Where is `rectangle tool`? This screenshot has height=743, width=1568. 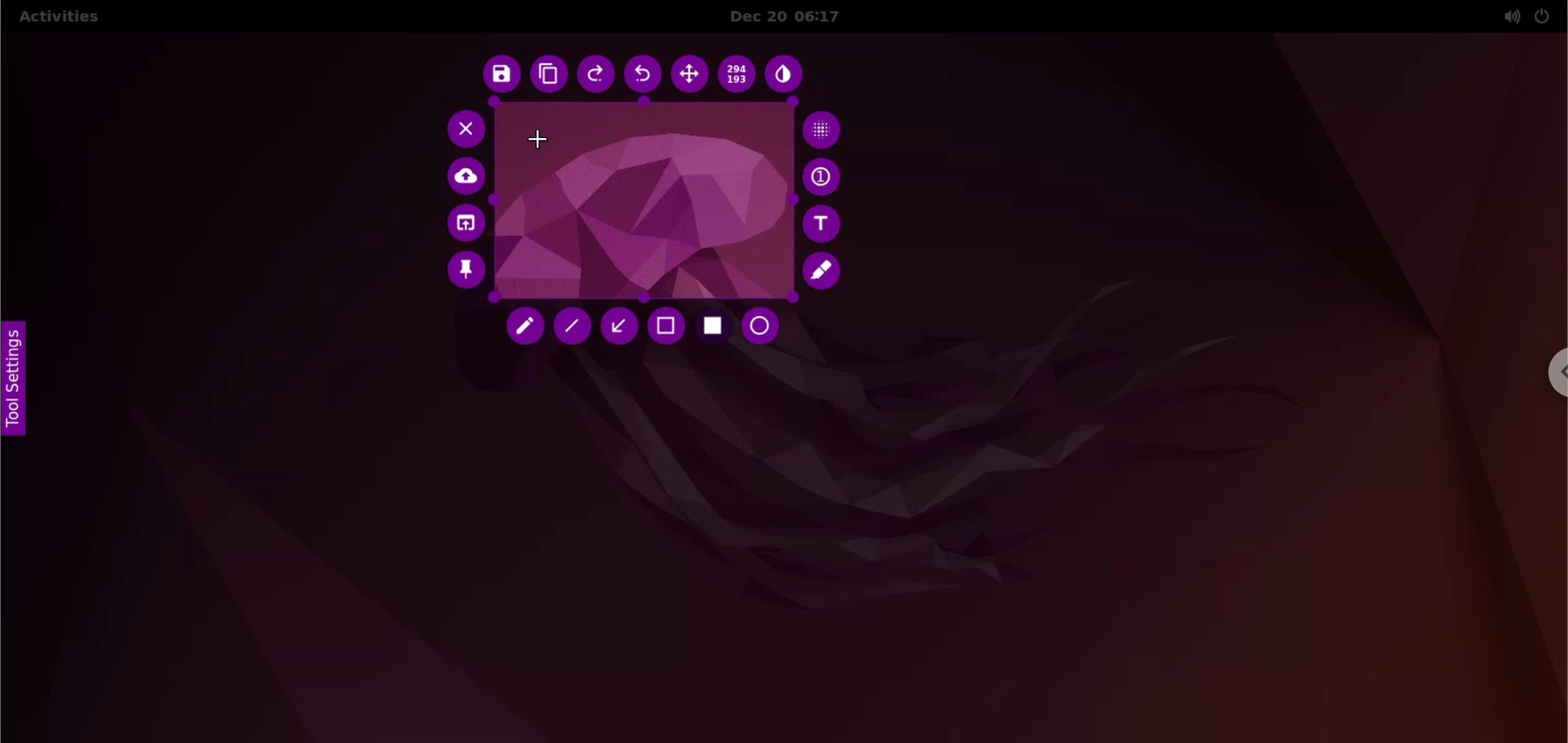
rectangle tool is located at coordinates (714, 328).